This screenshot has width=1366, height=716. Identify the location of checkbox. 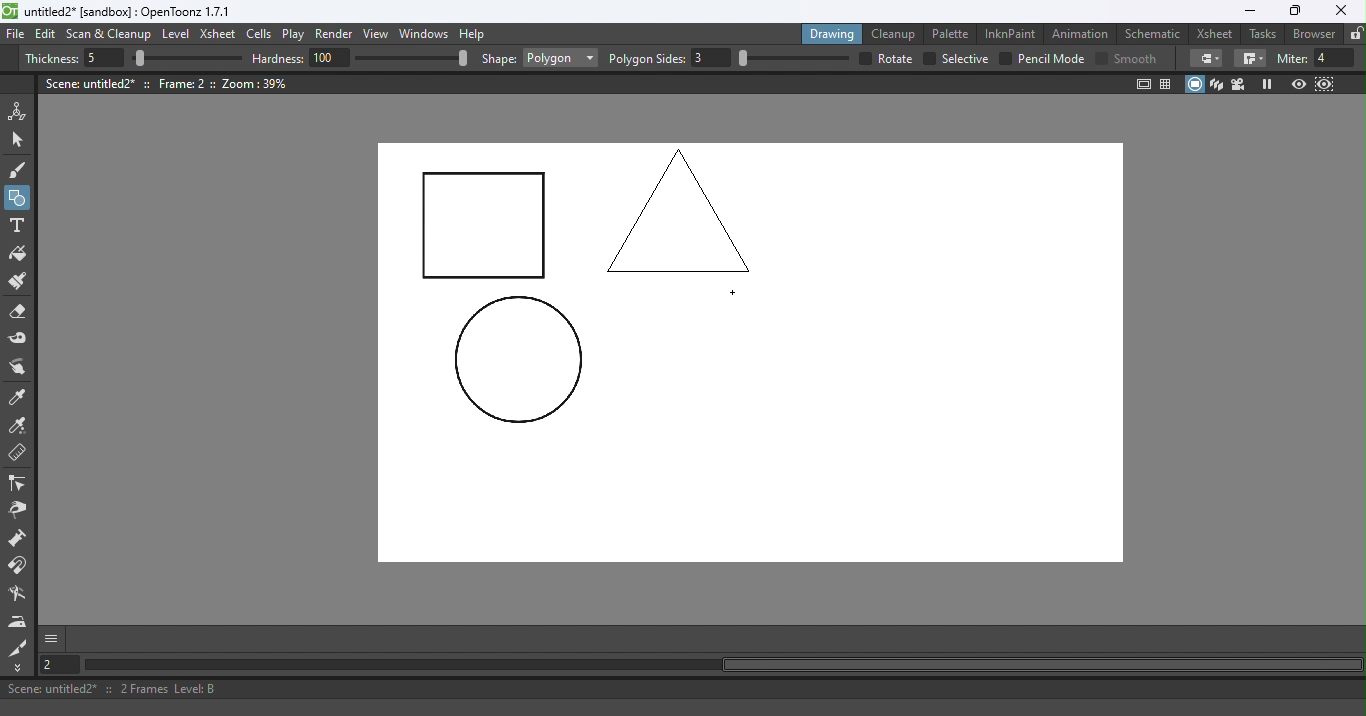
(928, 59).